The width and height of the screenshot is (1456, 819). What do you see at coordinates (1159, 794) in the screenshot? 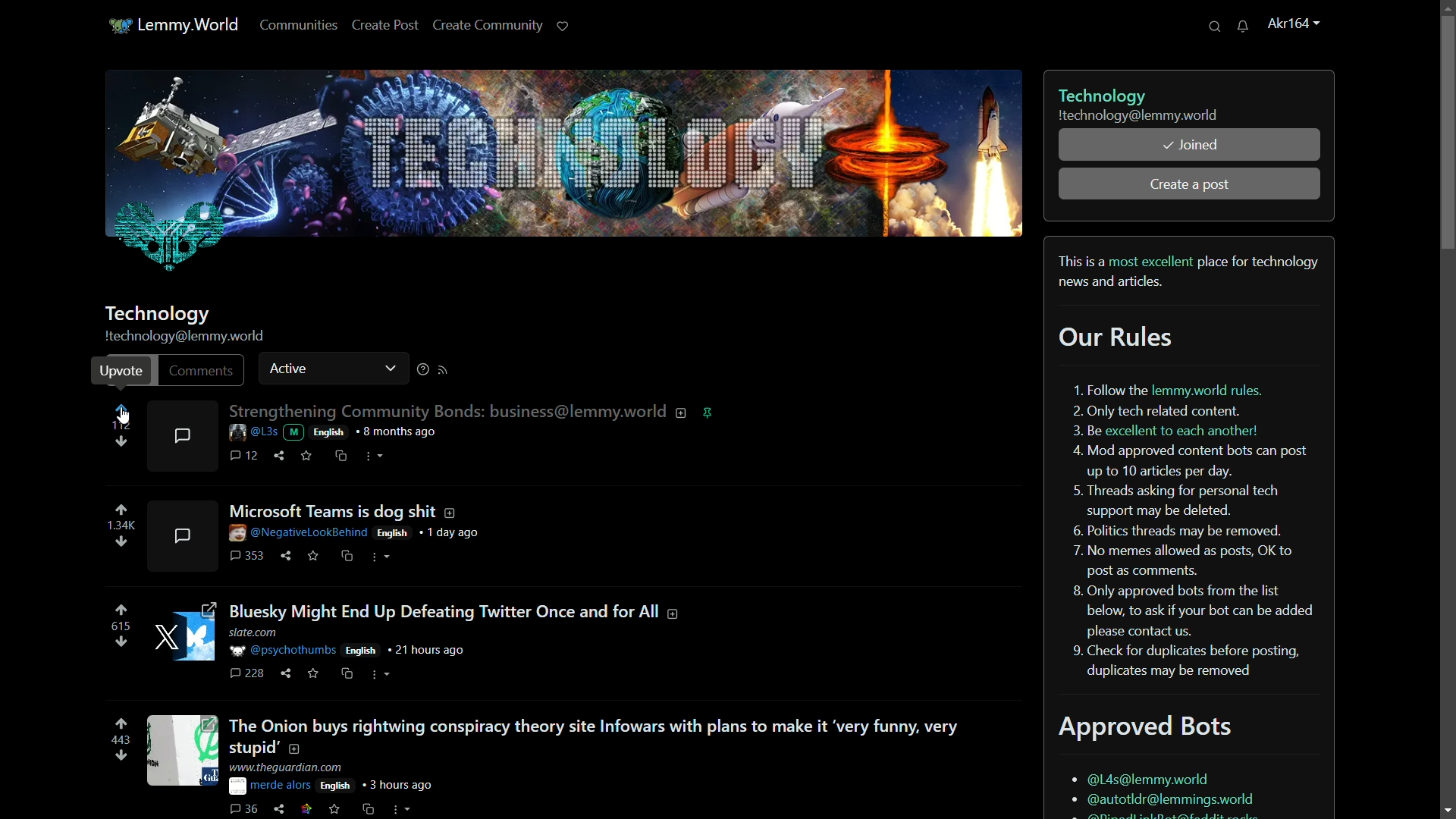
I see `bots` at bounding box center [1159, 794].